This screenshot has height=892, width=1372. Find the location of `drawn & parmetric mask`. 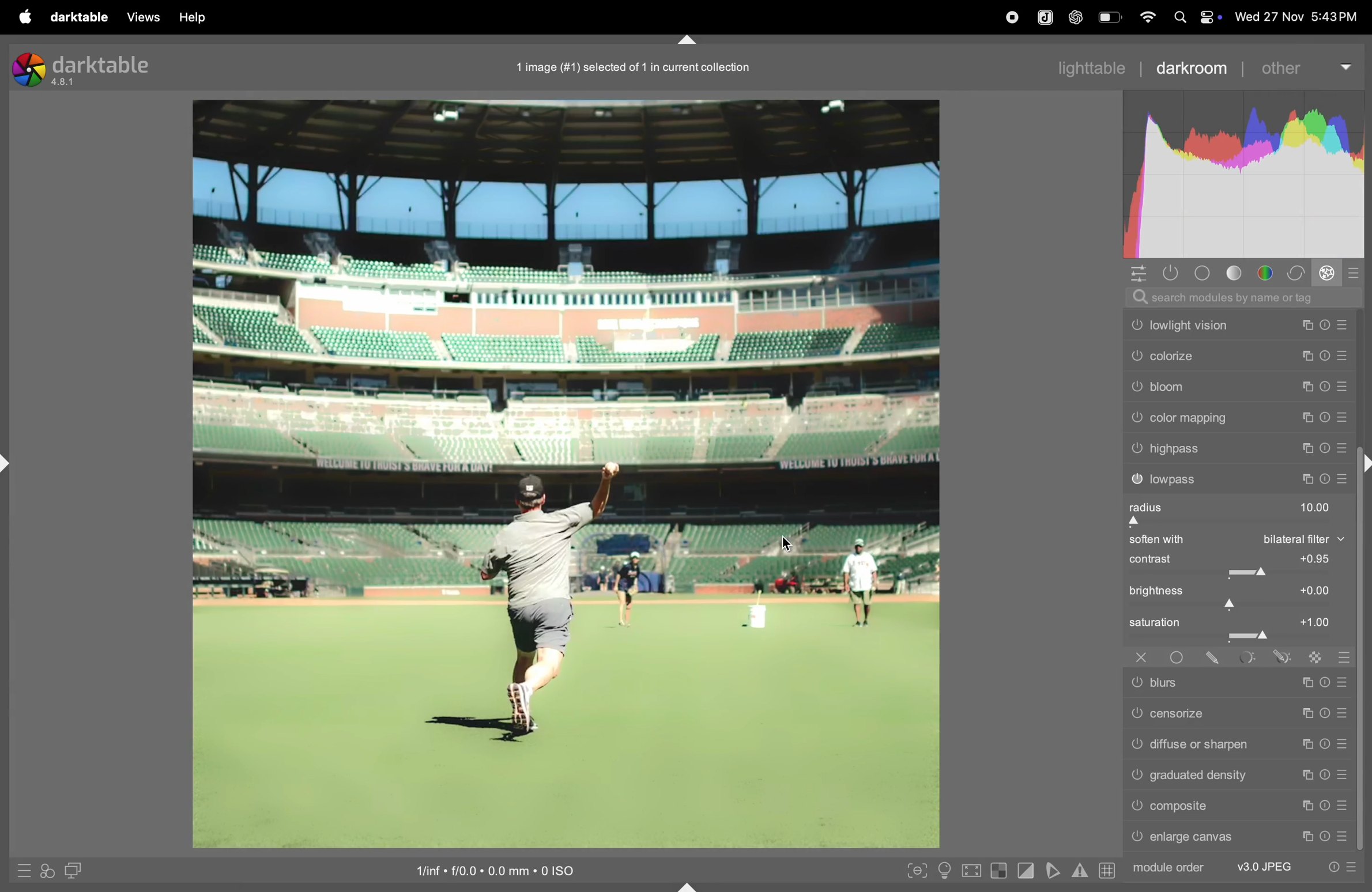

drawn & parmetric mask is located at coordinates (1284, 657).